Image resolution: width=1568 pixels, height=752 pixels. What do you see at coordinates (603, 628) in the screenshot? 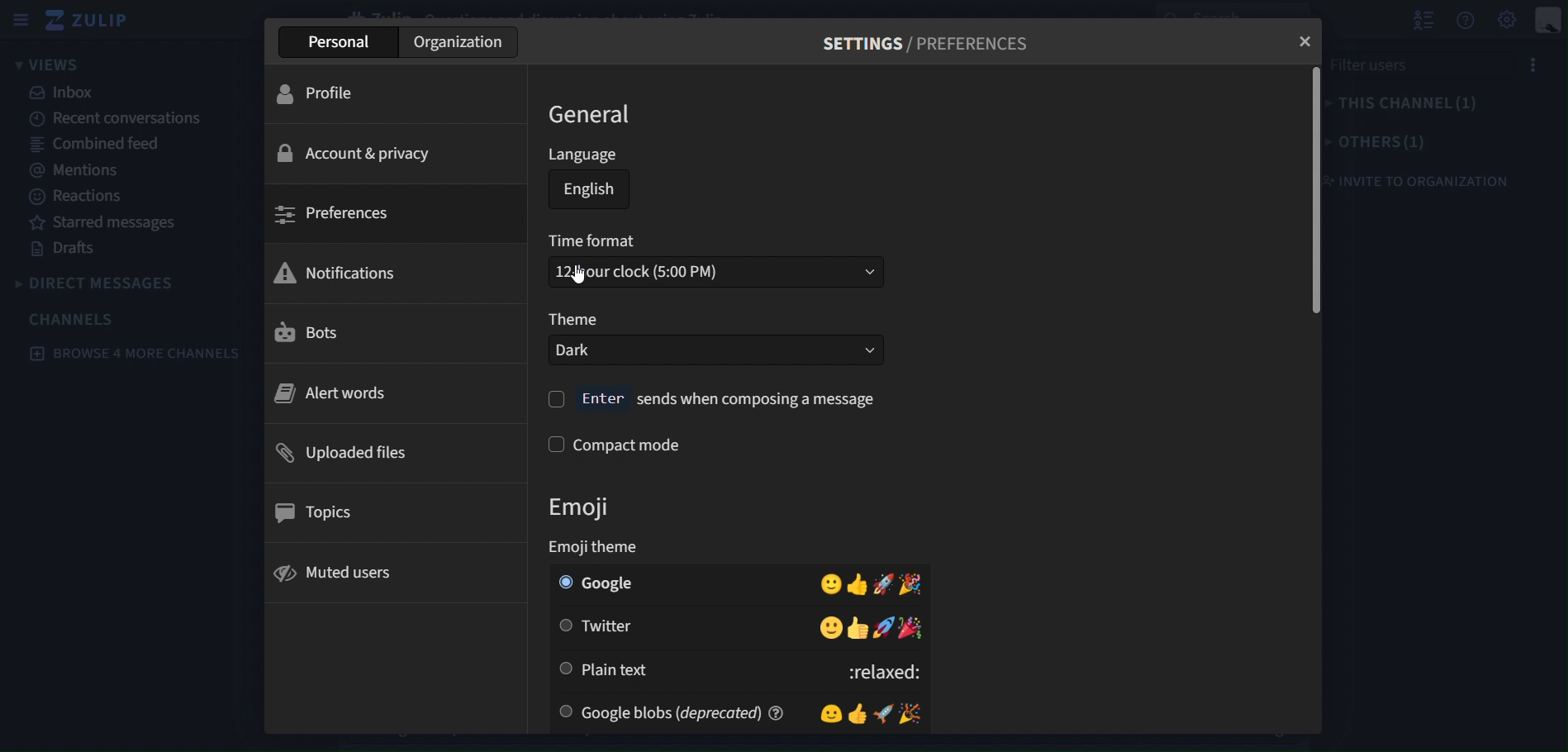
I see `twitter` at bounding box center [603, 628].